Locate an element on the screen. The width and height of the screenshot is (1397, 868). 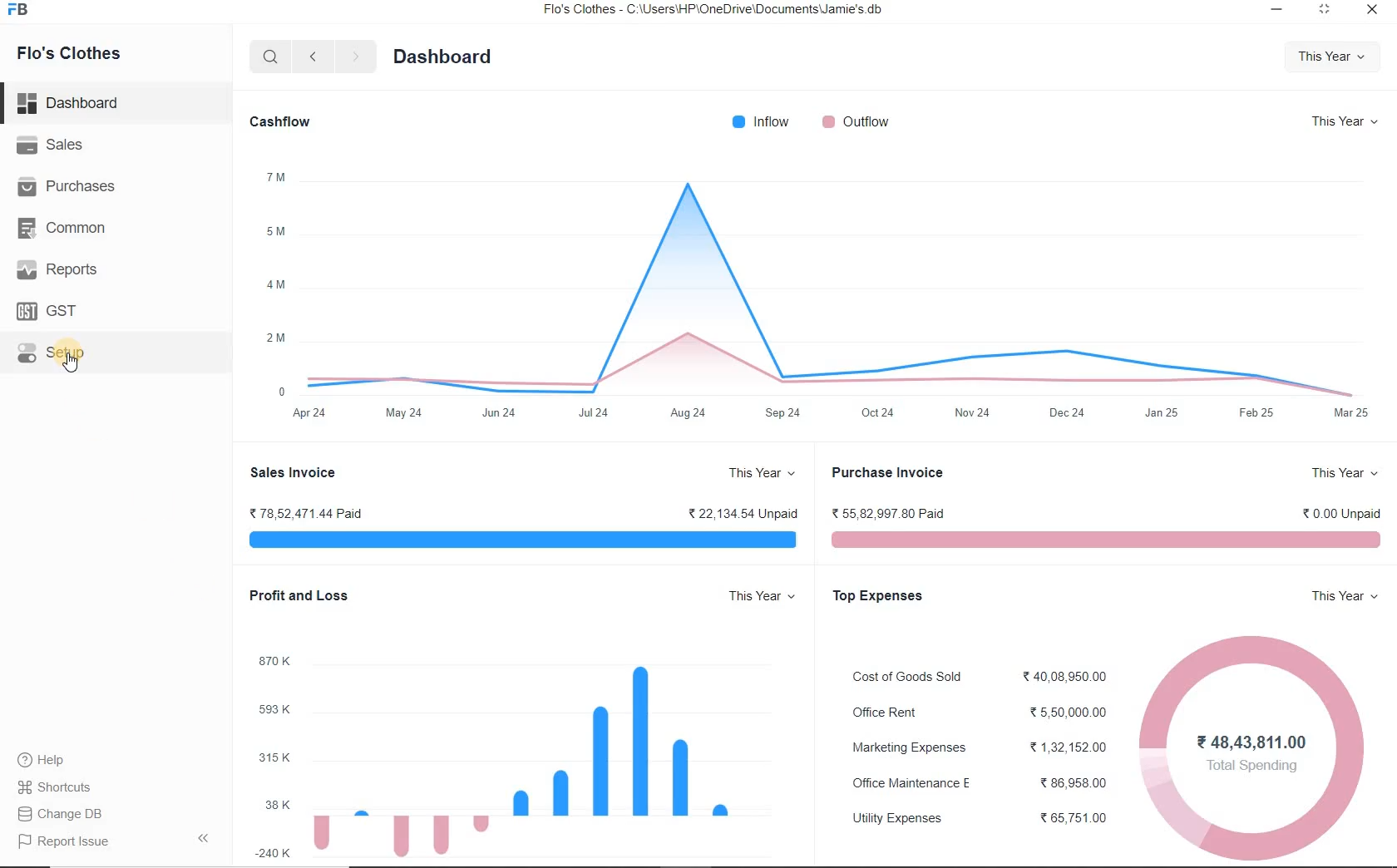
this year is located at coordinates (1338, 474).